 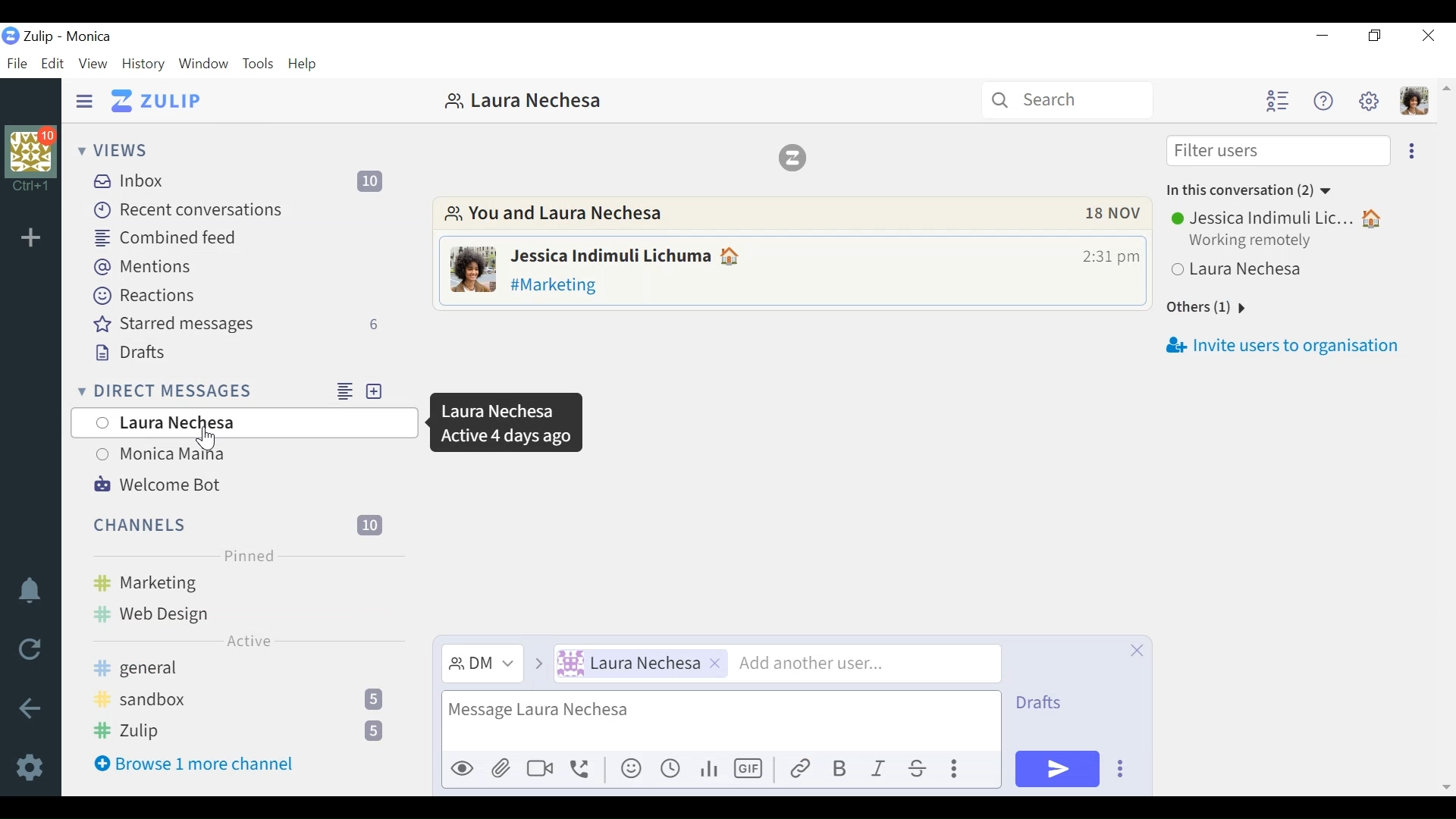 What do you see at coordinates (1106, 257) in the screenshot?
I see `Time` at bounding box center [1106, 257].